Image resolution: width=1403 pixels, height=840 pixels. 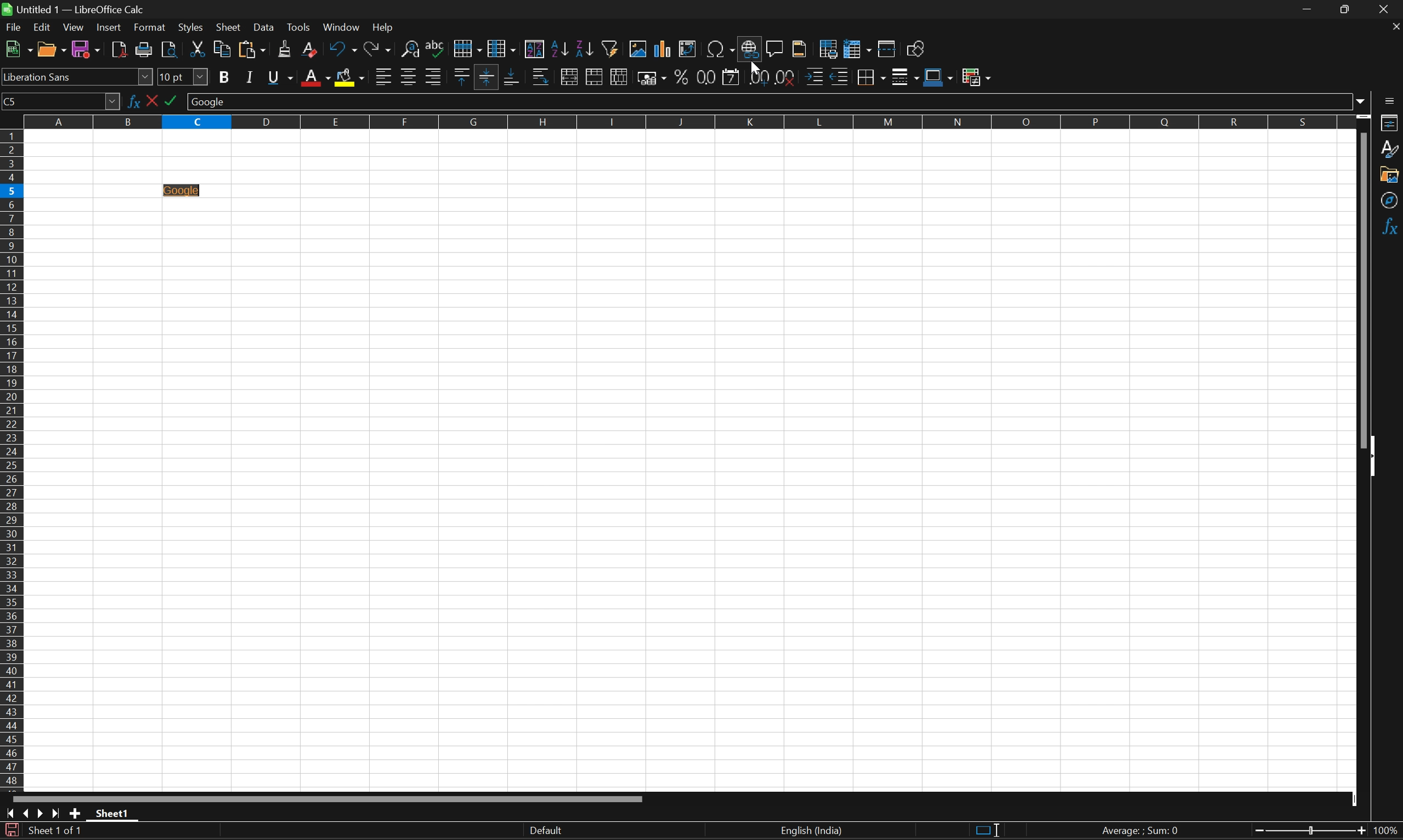 I want to click on Background color, so click(x=351, y=77).